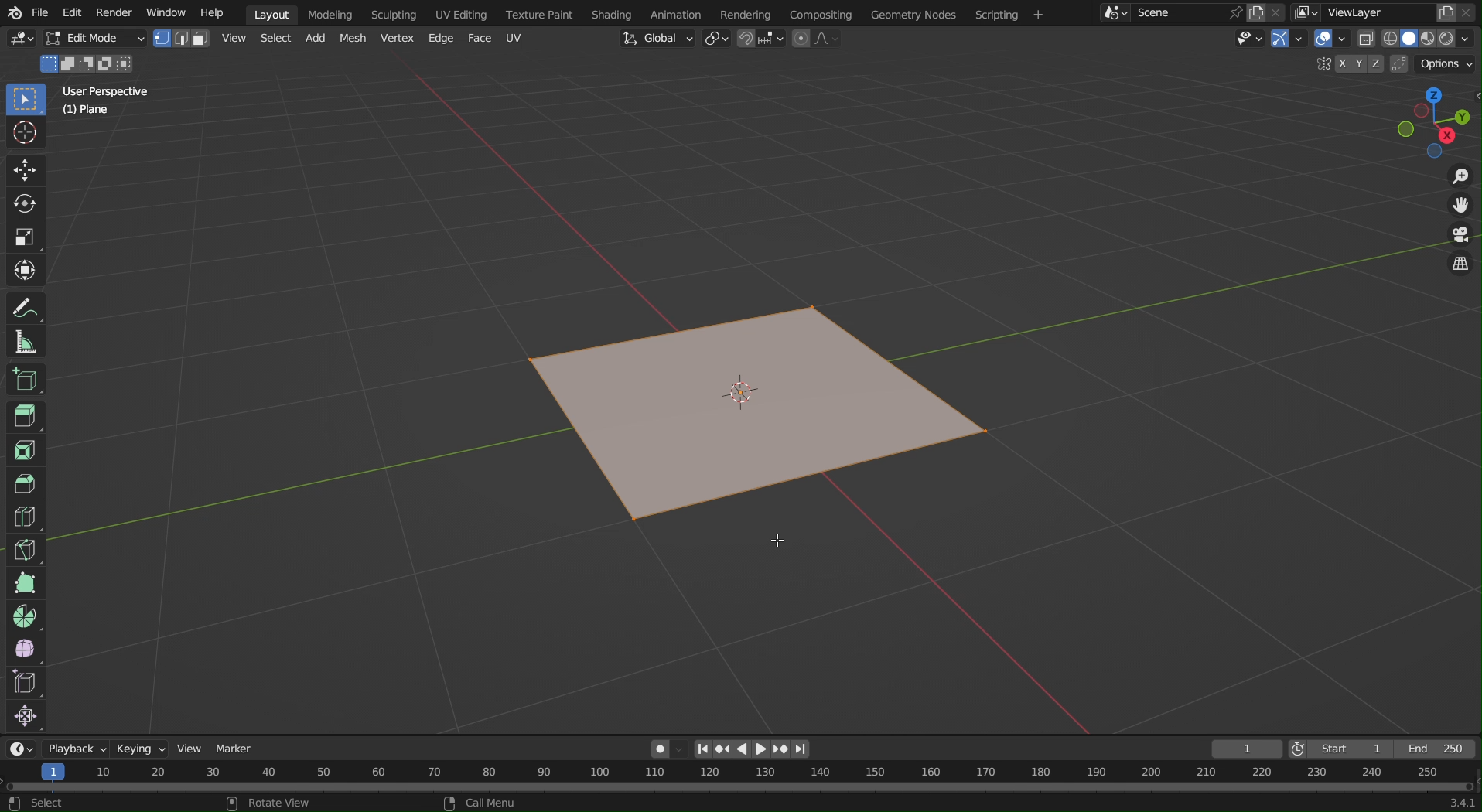 Image resolution: width=1482 pixels, height=812 pixels. Describe the element at coordinates (271, 14) in the screenshot. I see `Layout` at that location.